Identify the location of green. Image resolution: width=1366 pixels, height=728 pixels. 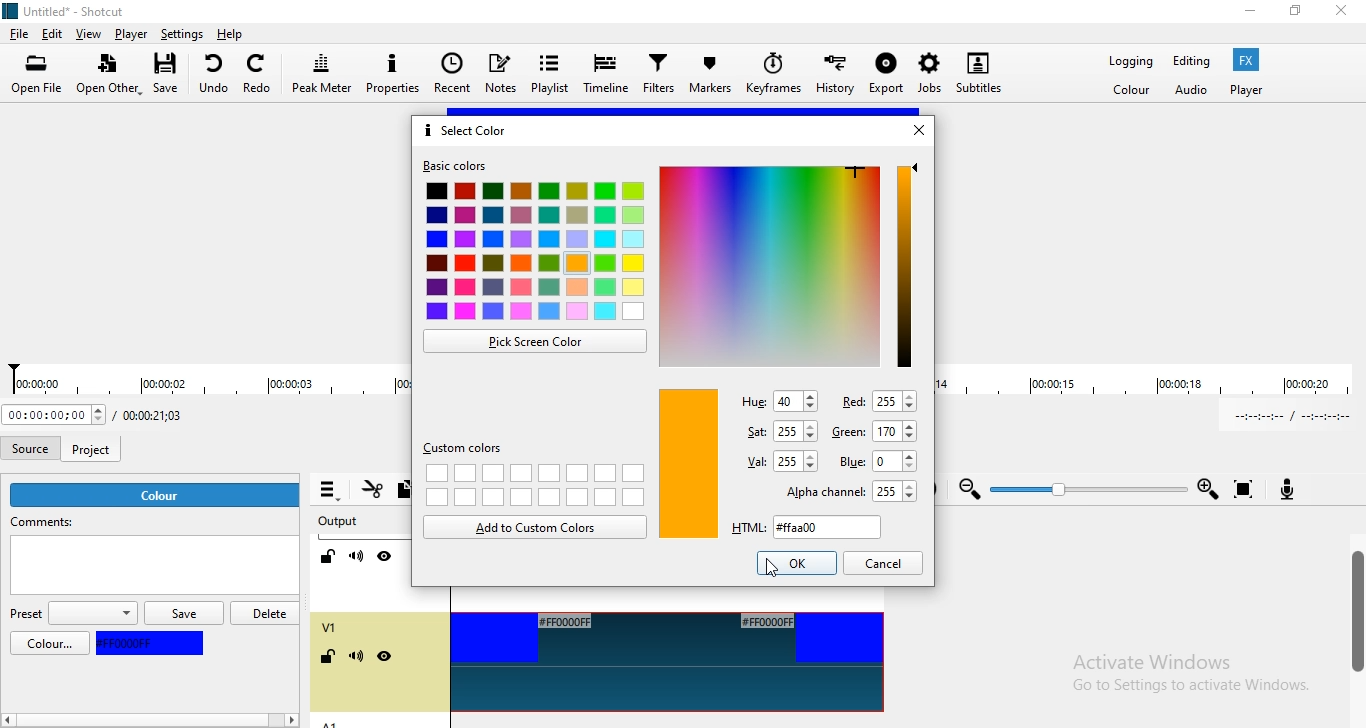
(876, 433).